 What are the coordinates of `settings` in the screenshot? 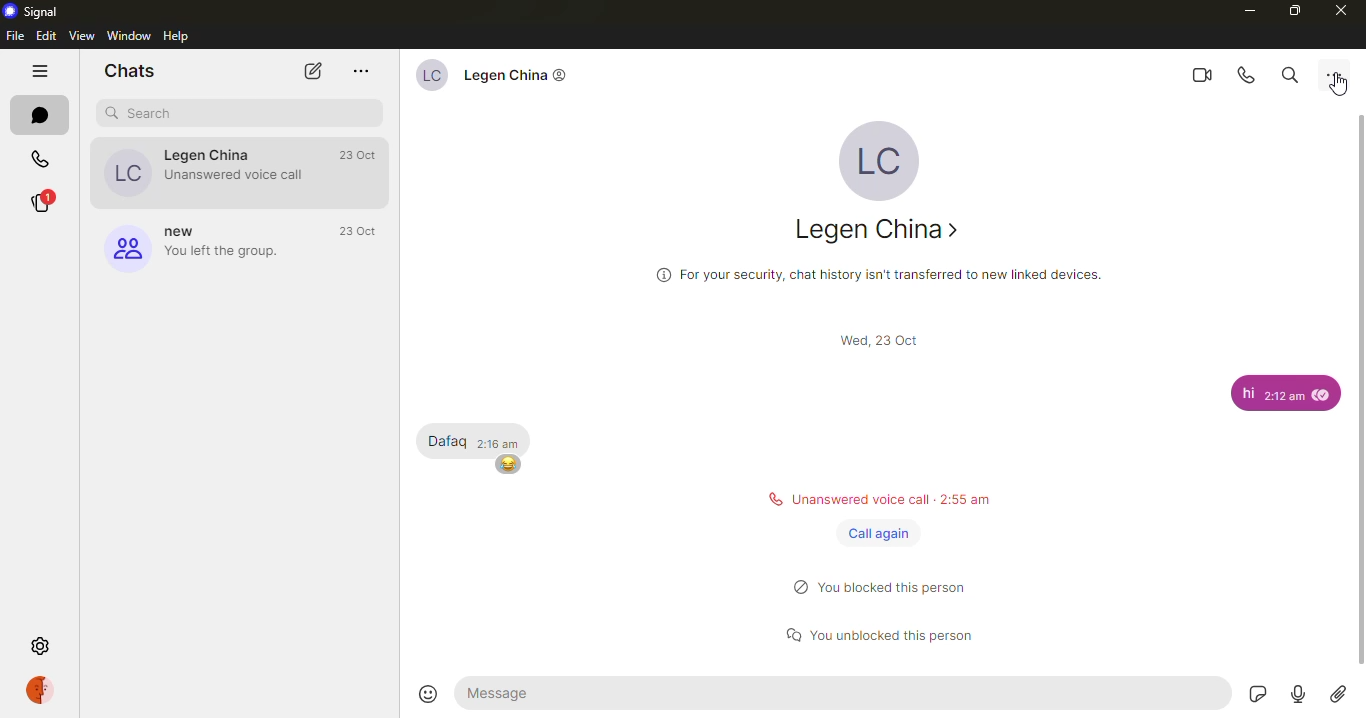 It's located at (46, 646).